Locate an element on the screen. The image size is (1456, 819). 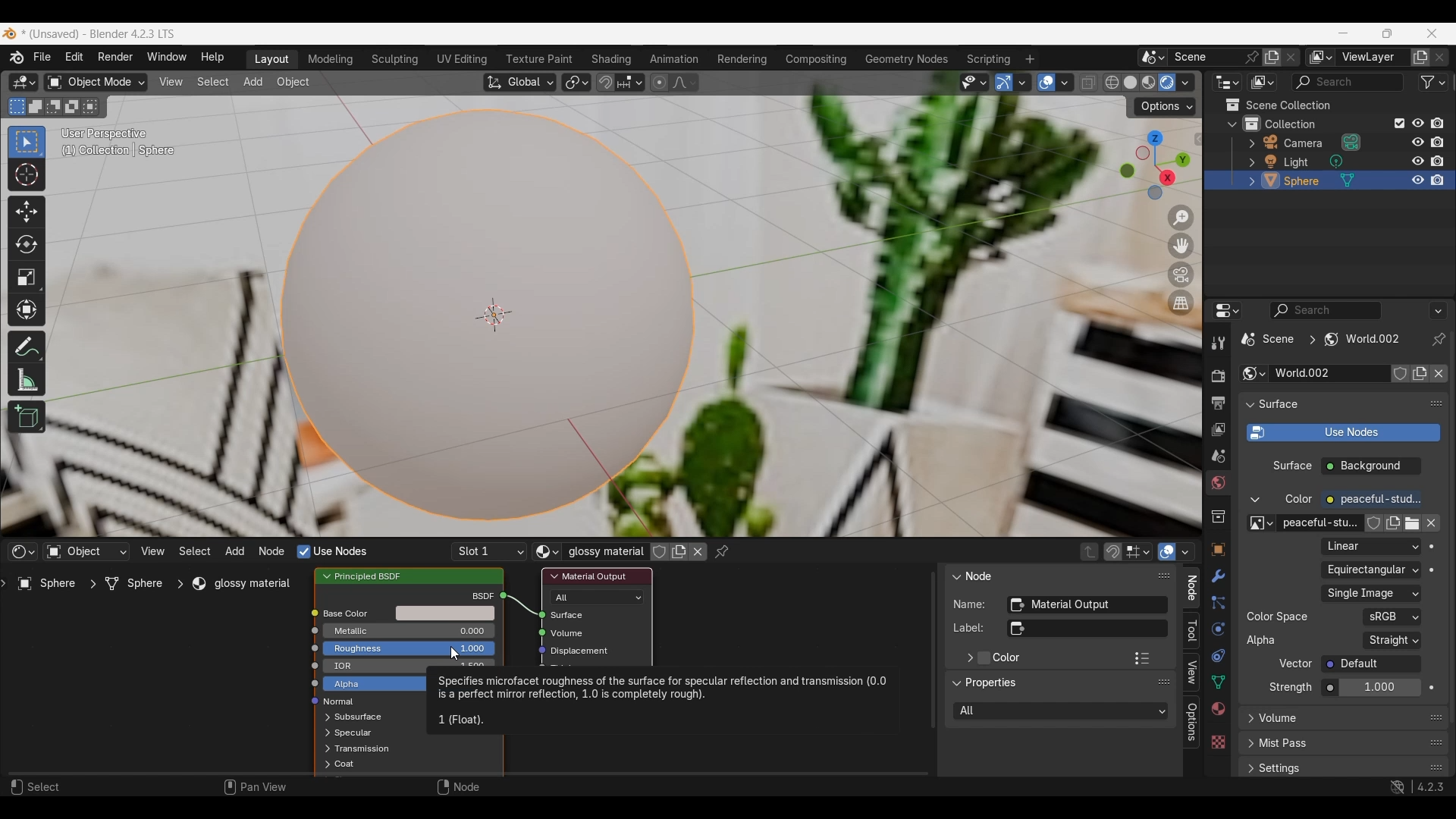
Add color to material output panel is located at coordinates (984, 658).